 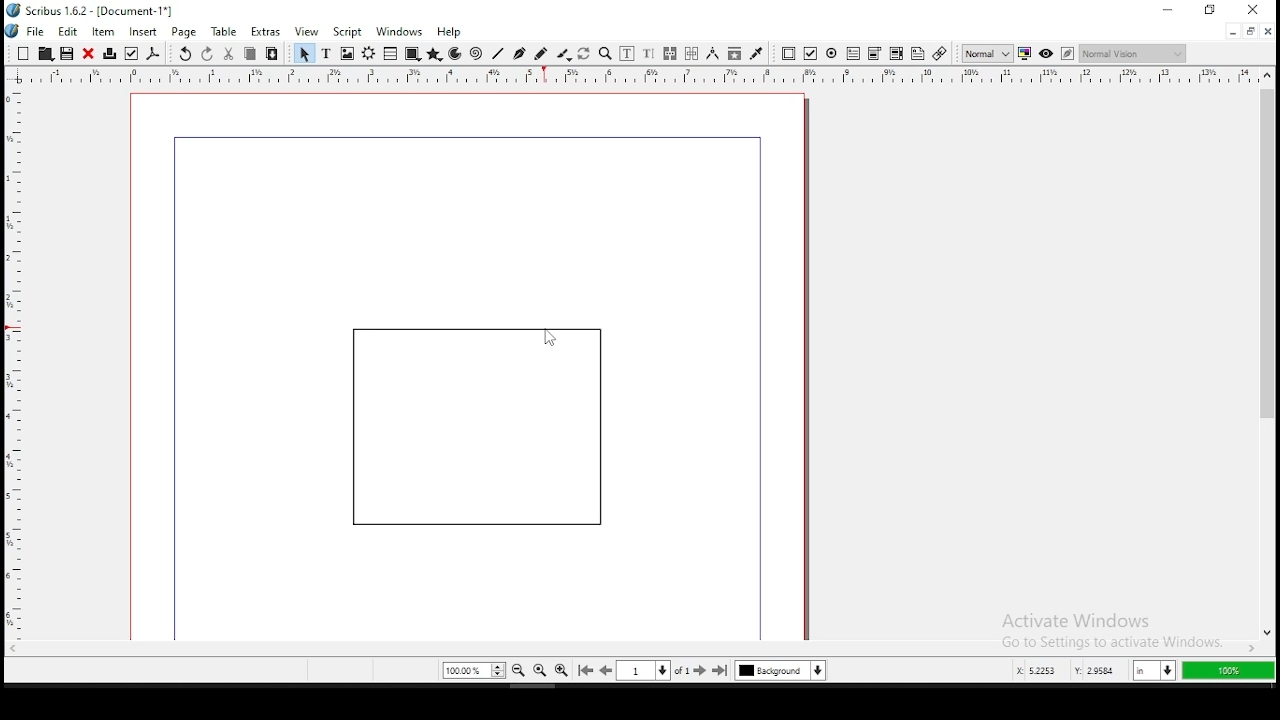 What do you see at coordinates (26, 30) in the screenshot?
I see `file` at bounding box center [26, 30].